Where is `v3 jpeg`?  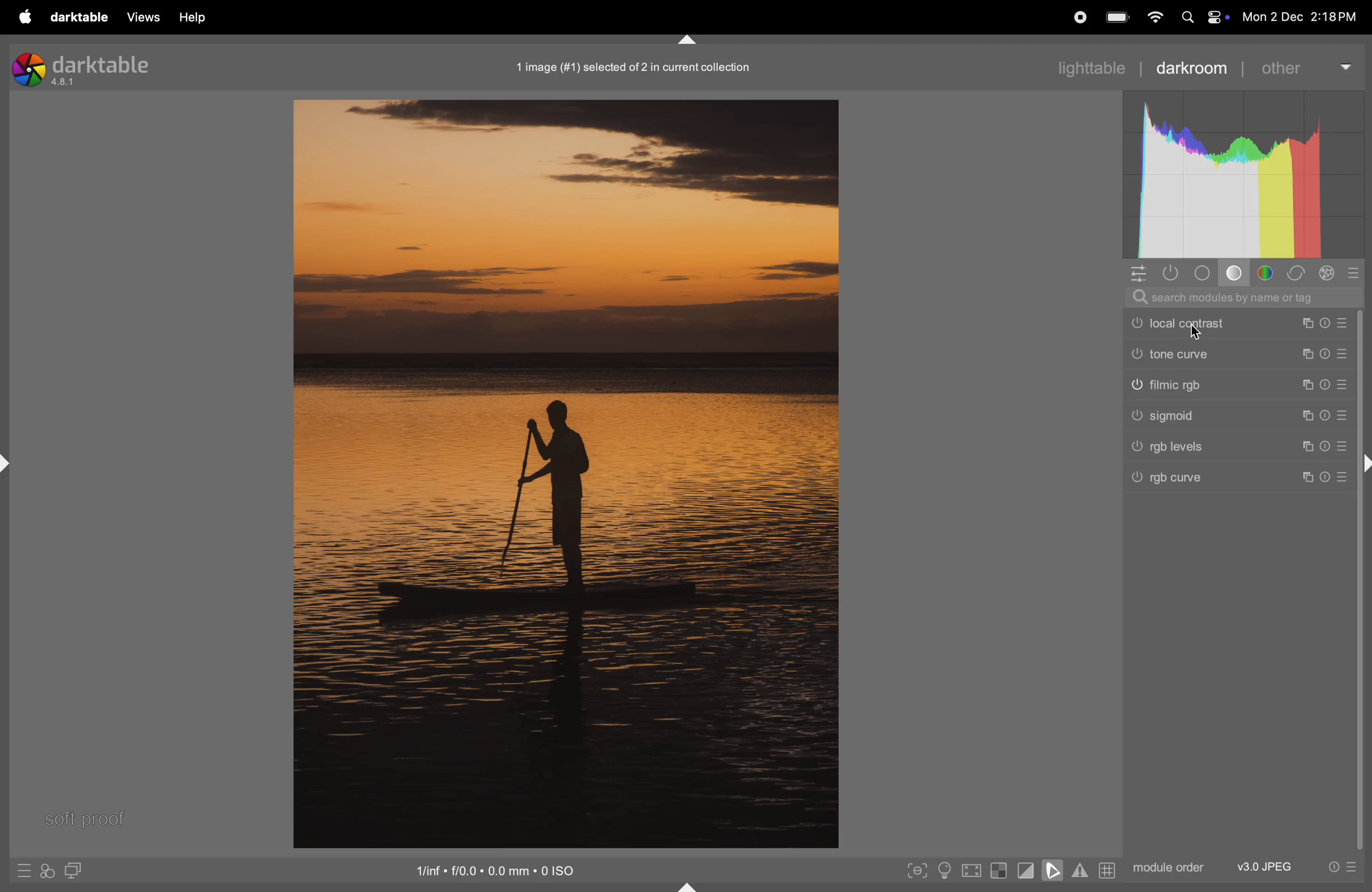 v3 jpeg is located at coordinates (1262, 867).